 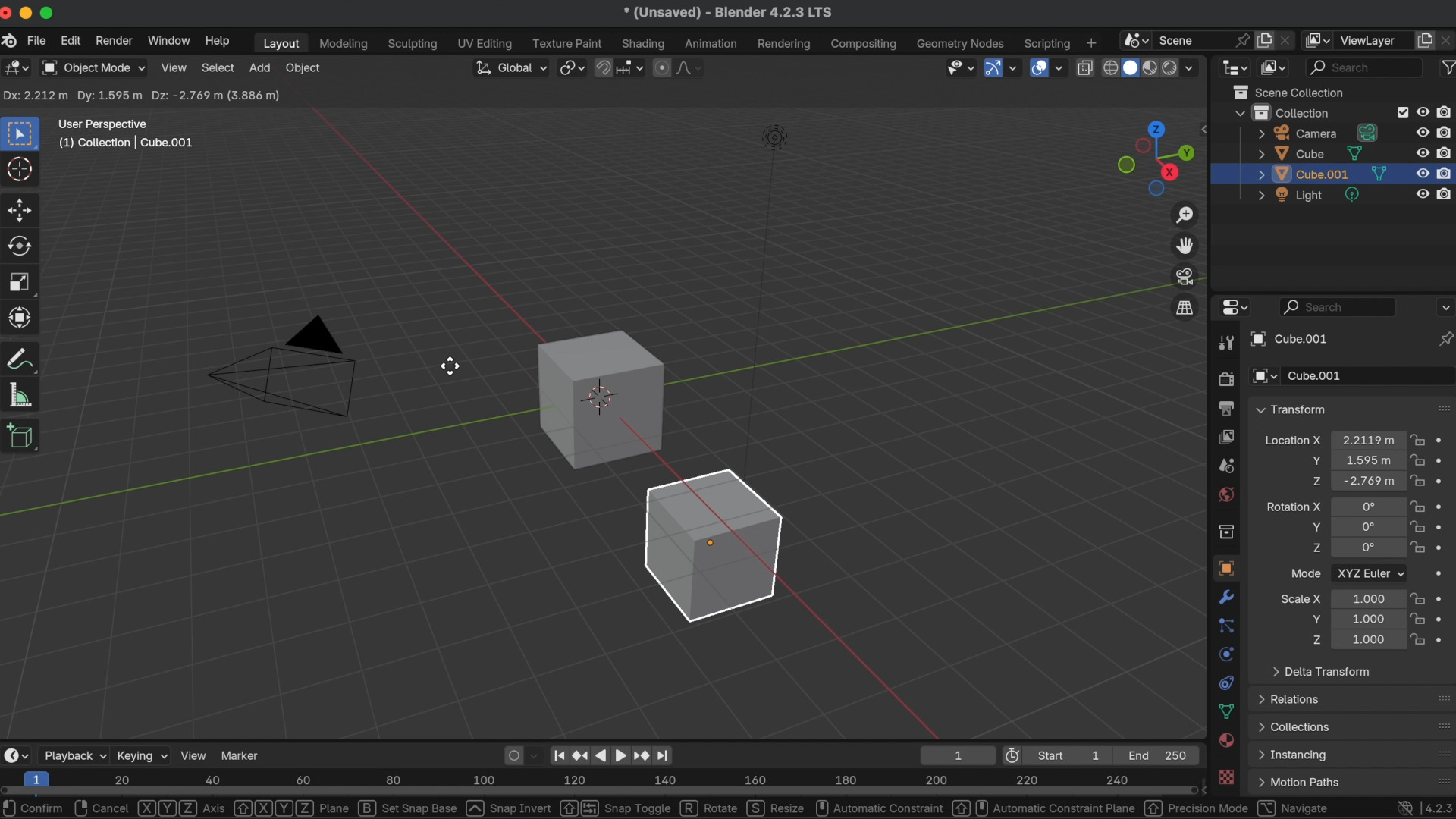 What do you see at coordinates (1292, 442) in the screenshot?
I see `location X` at bounding box center [1292, 442].